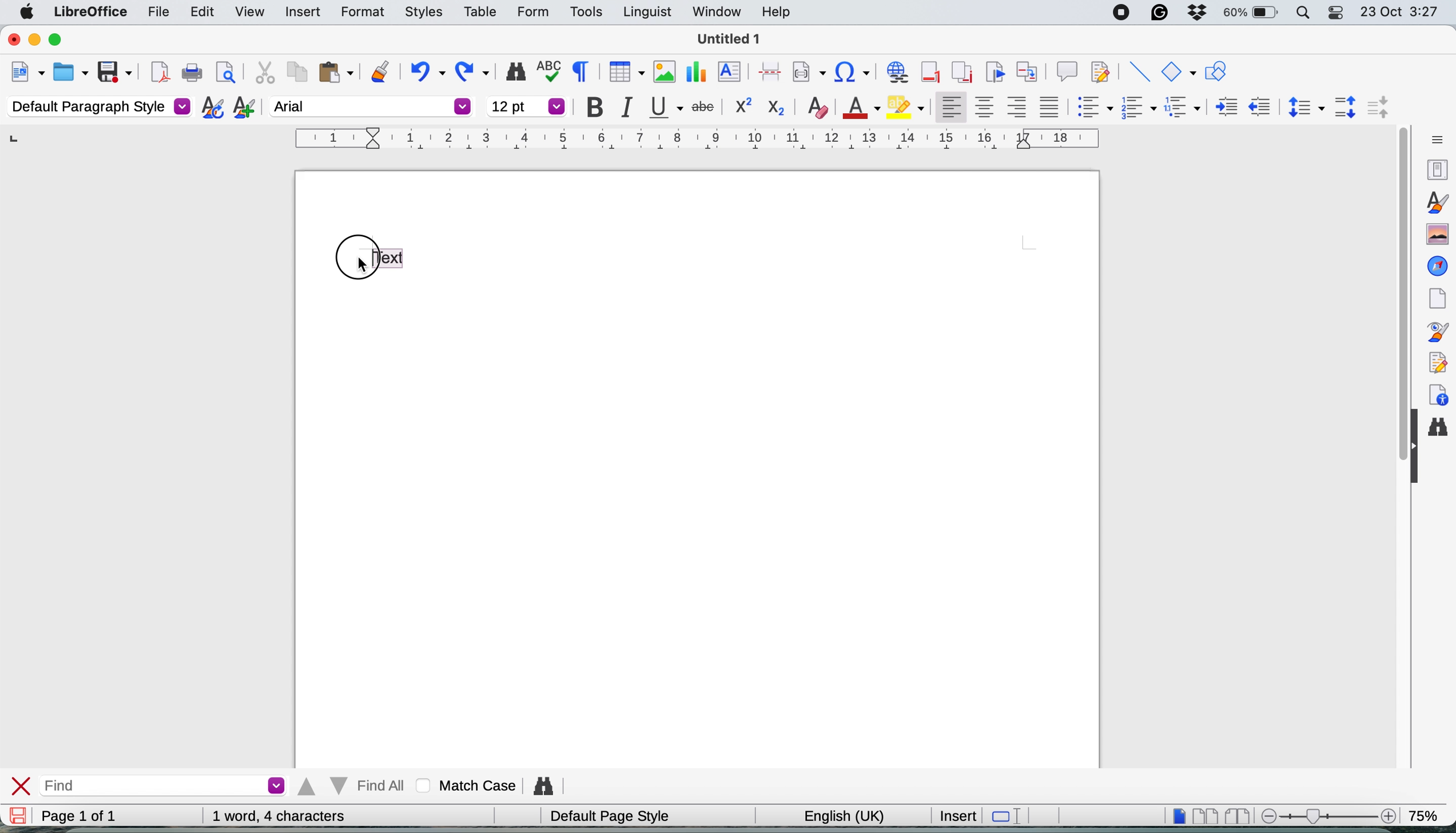 Image resolution: width=1456 pixels, height=833 pixels. Describe the element at coordinates (1401, 13) in the screenshot. I see `date and time` at that location.